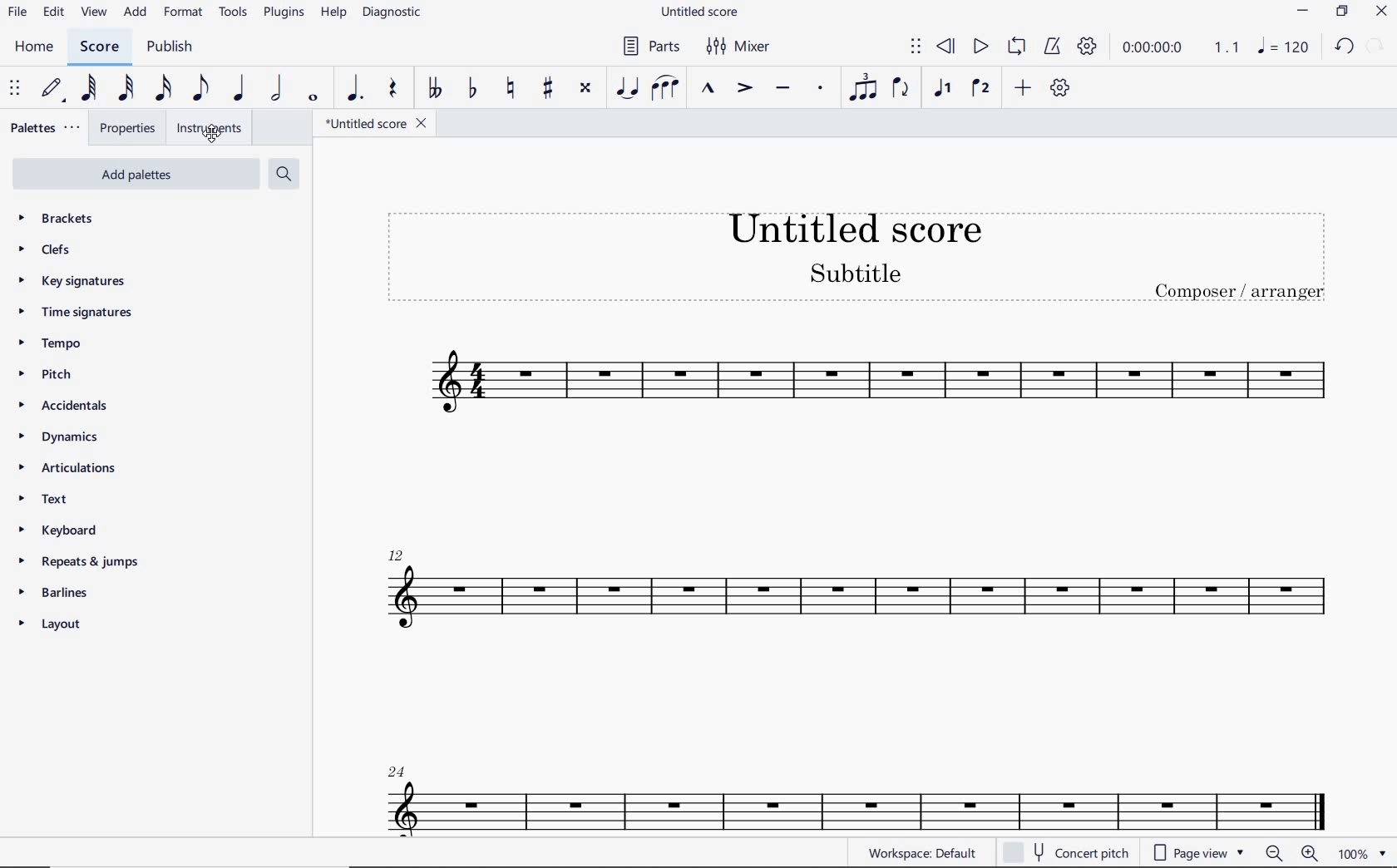 The width and height of the screenshot is (1397, 868). What do you see at coordinates (587, 89) in the screenshot?
I see `TOGGLE DOUBLE-SHARP` at bounding box center [587, 89].